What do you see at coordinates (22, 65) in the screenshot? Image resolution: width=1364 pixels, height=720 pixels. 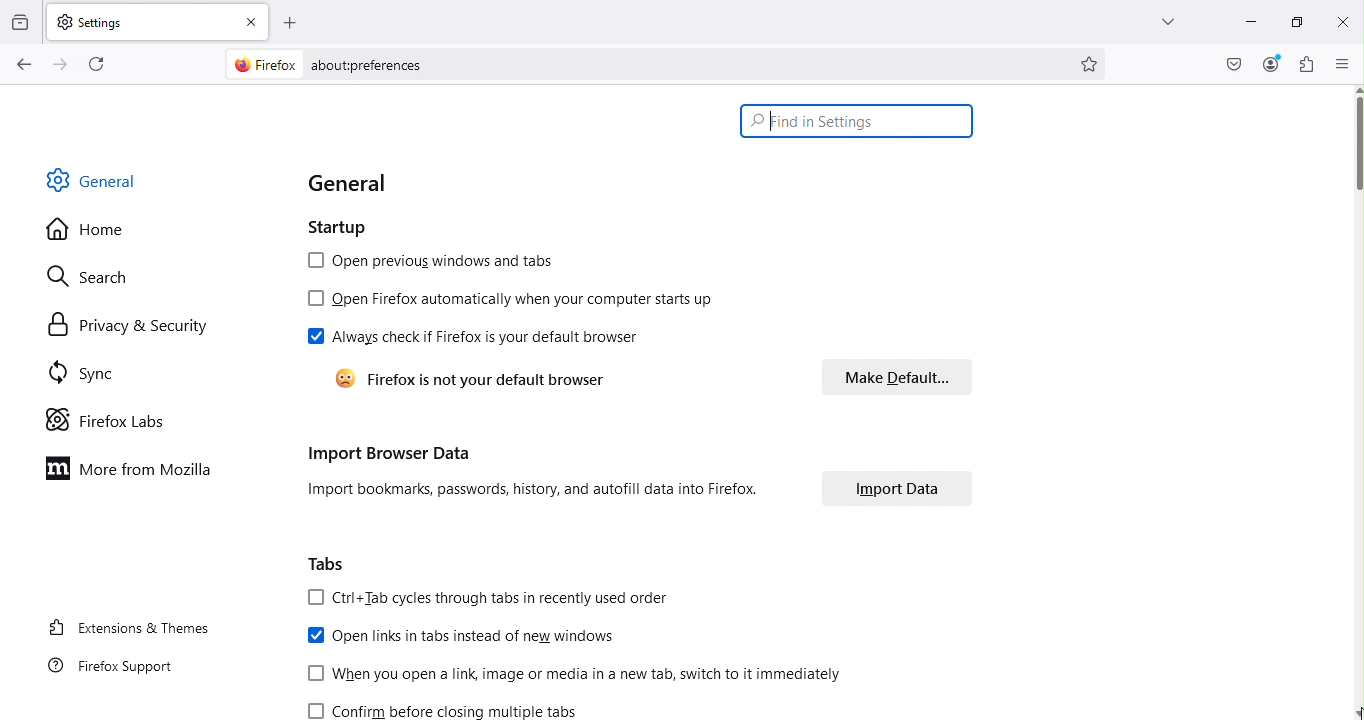 I see `Go back one page` at bounding box center [22, 65].